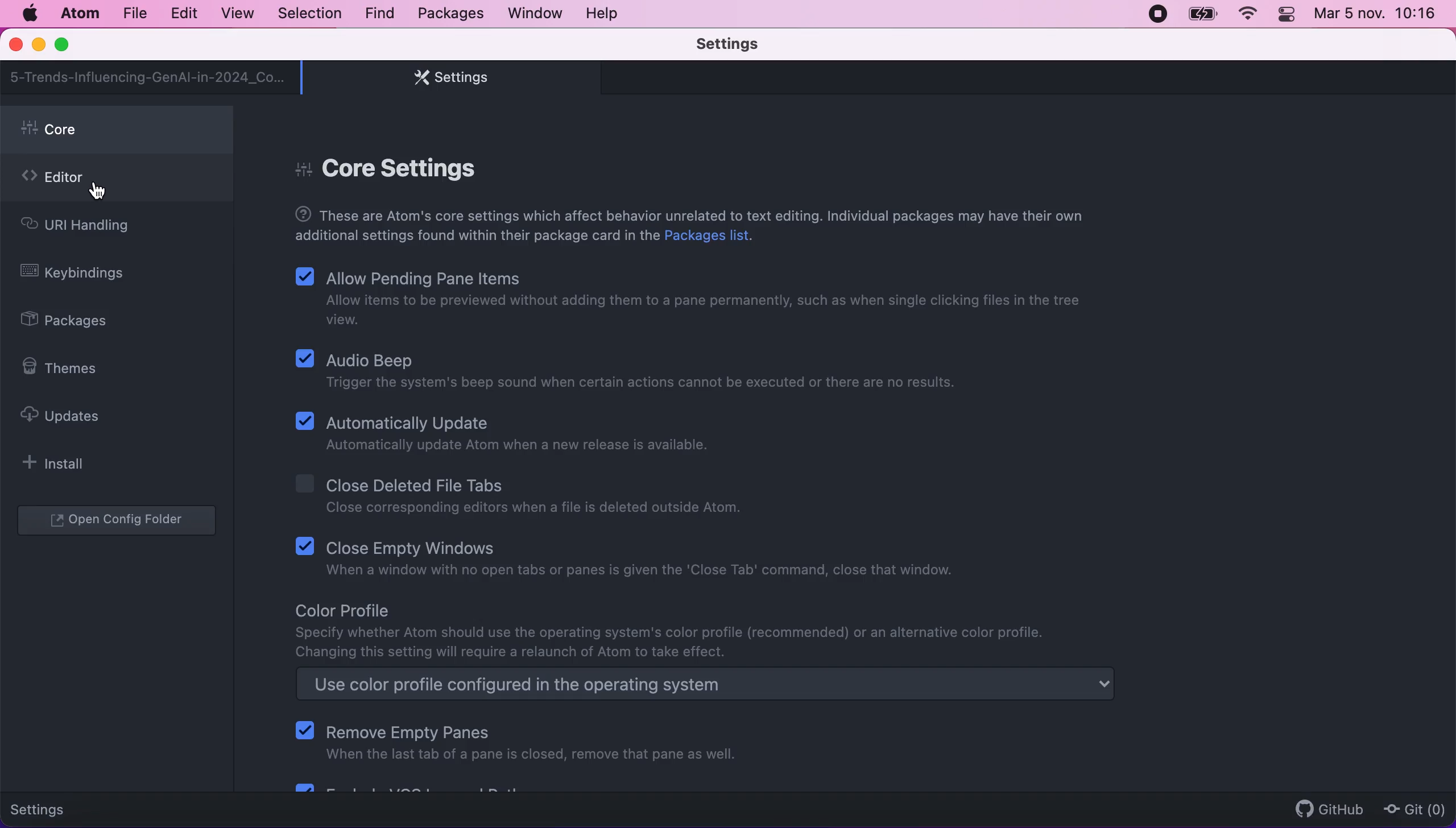  What do you see at coordinates (1156, 13) in the screenshot?
I see `recording stopped` at bounding box center [1156, 13].